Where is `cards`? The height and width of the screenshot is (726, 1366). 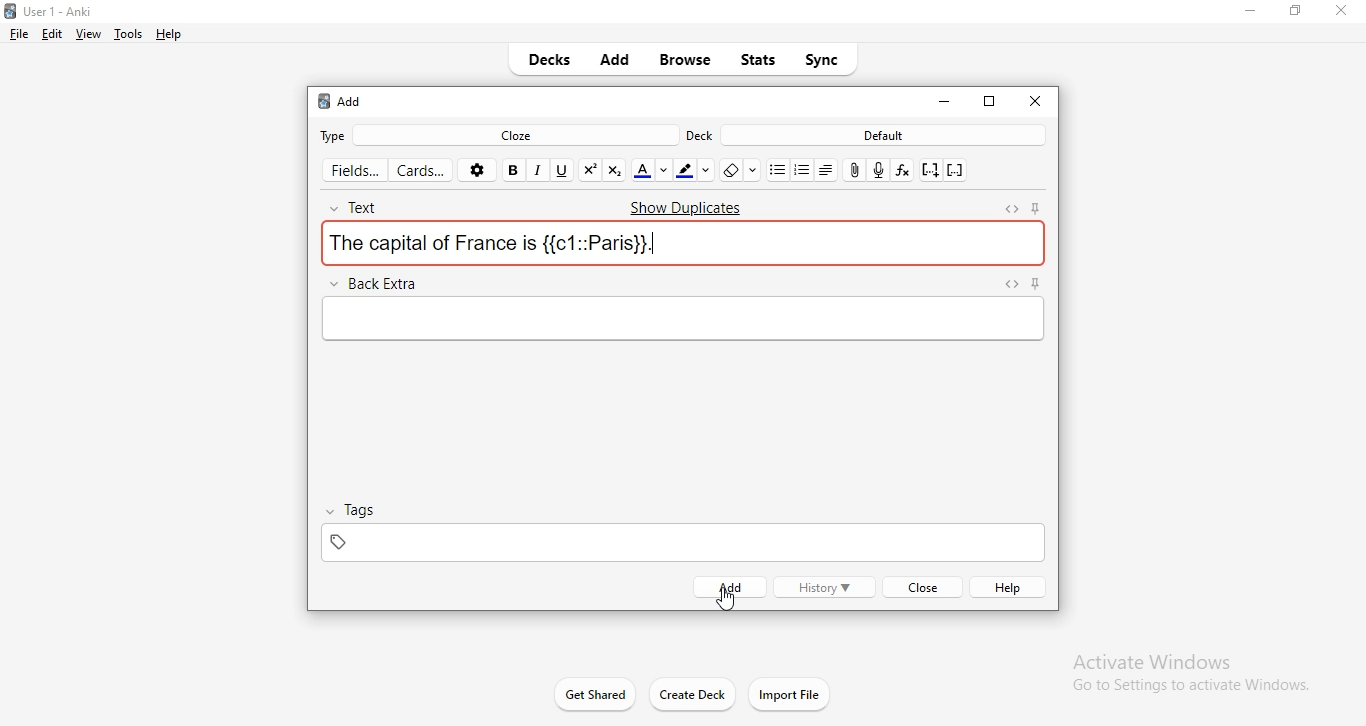 cards is located at coordinates (424, 171).